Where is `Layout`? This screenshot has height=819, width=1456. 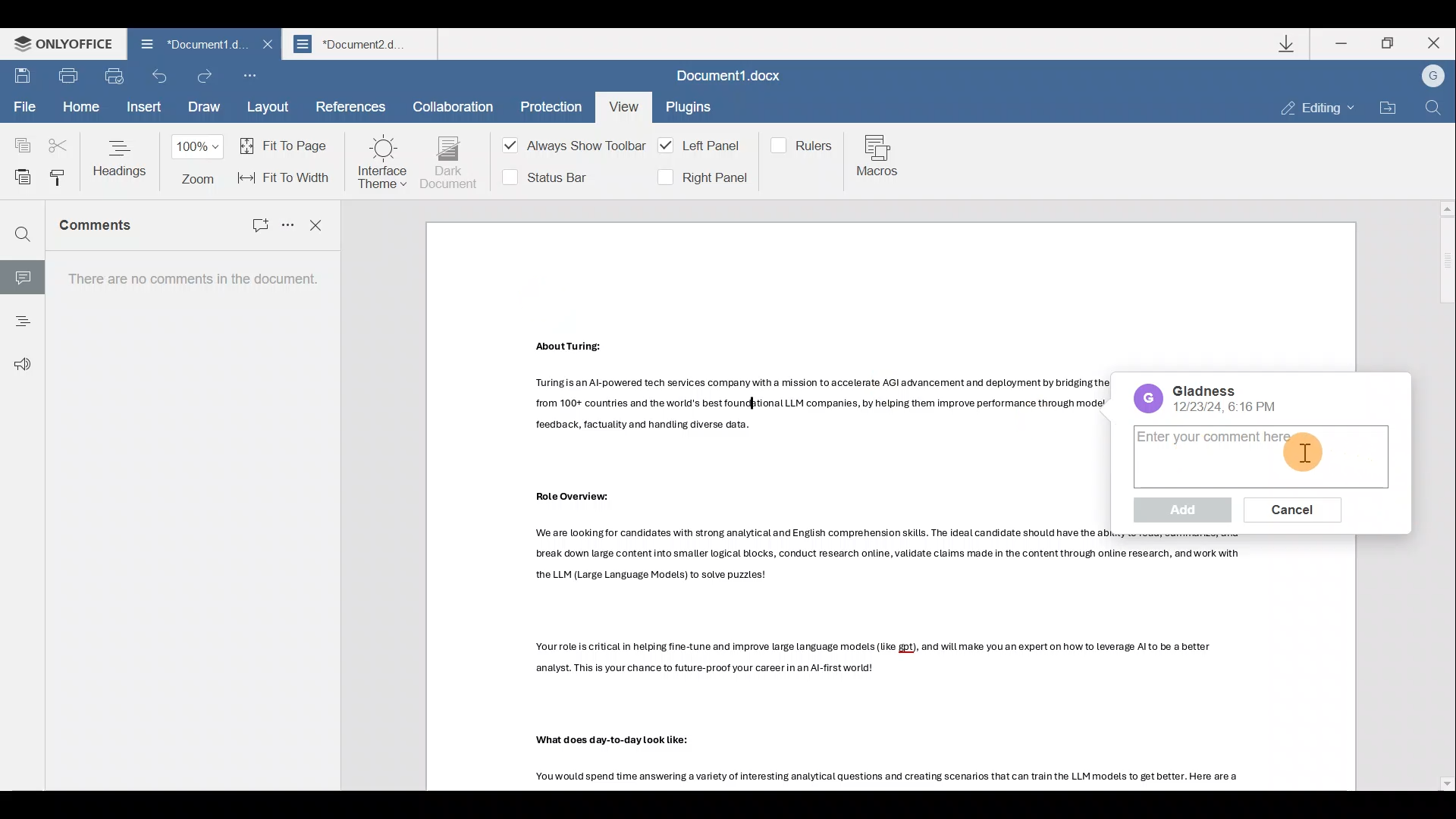
Layout is located at coordinates (269, 108).